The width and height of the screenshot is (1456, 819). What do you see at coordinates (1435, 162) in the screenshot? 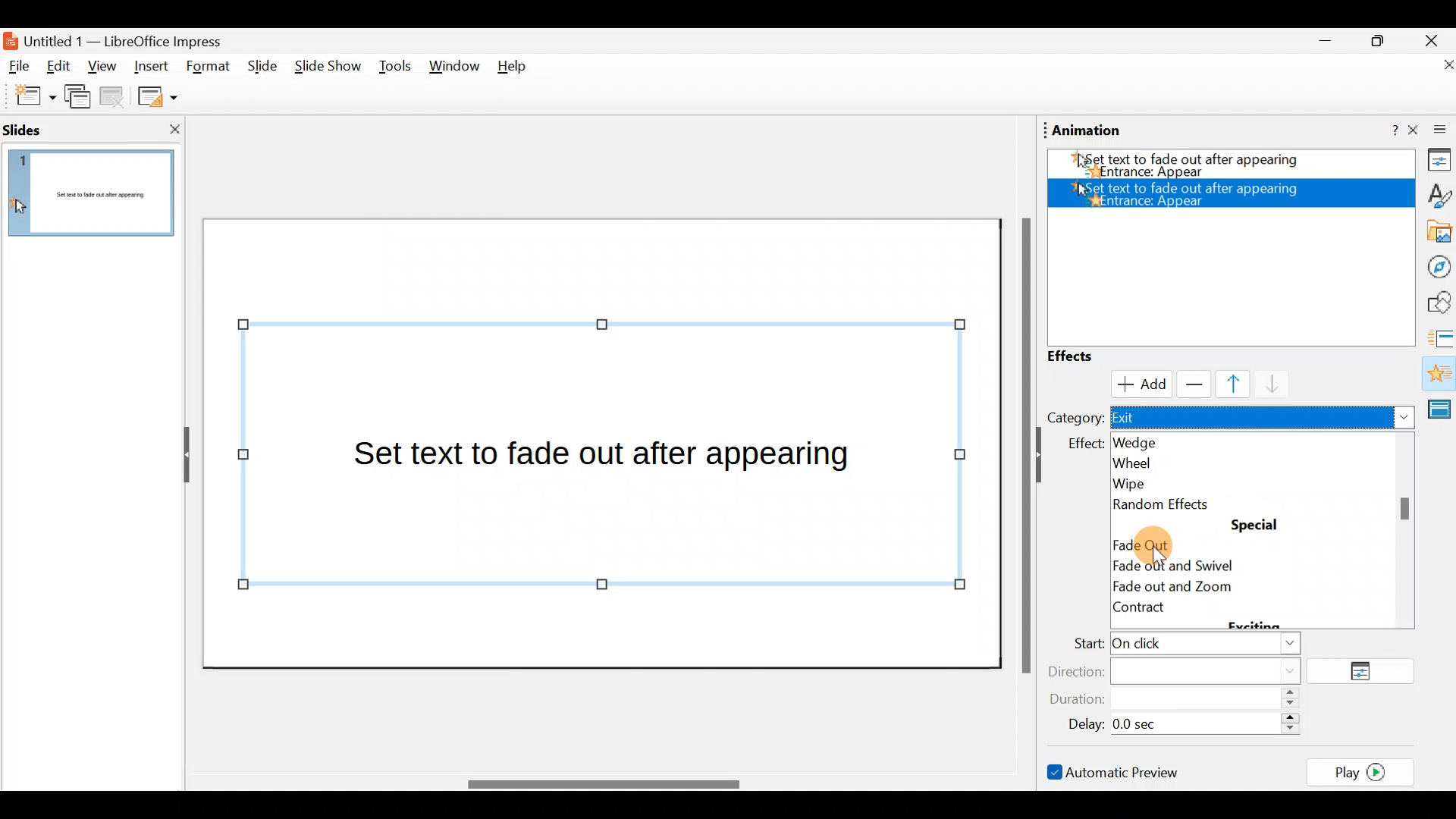
I see `Properties` at bounding box center [1435, 162].